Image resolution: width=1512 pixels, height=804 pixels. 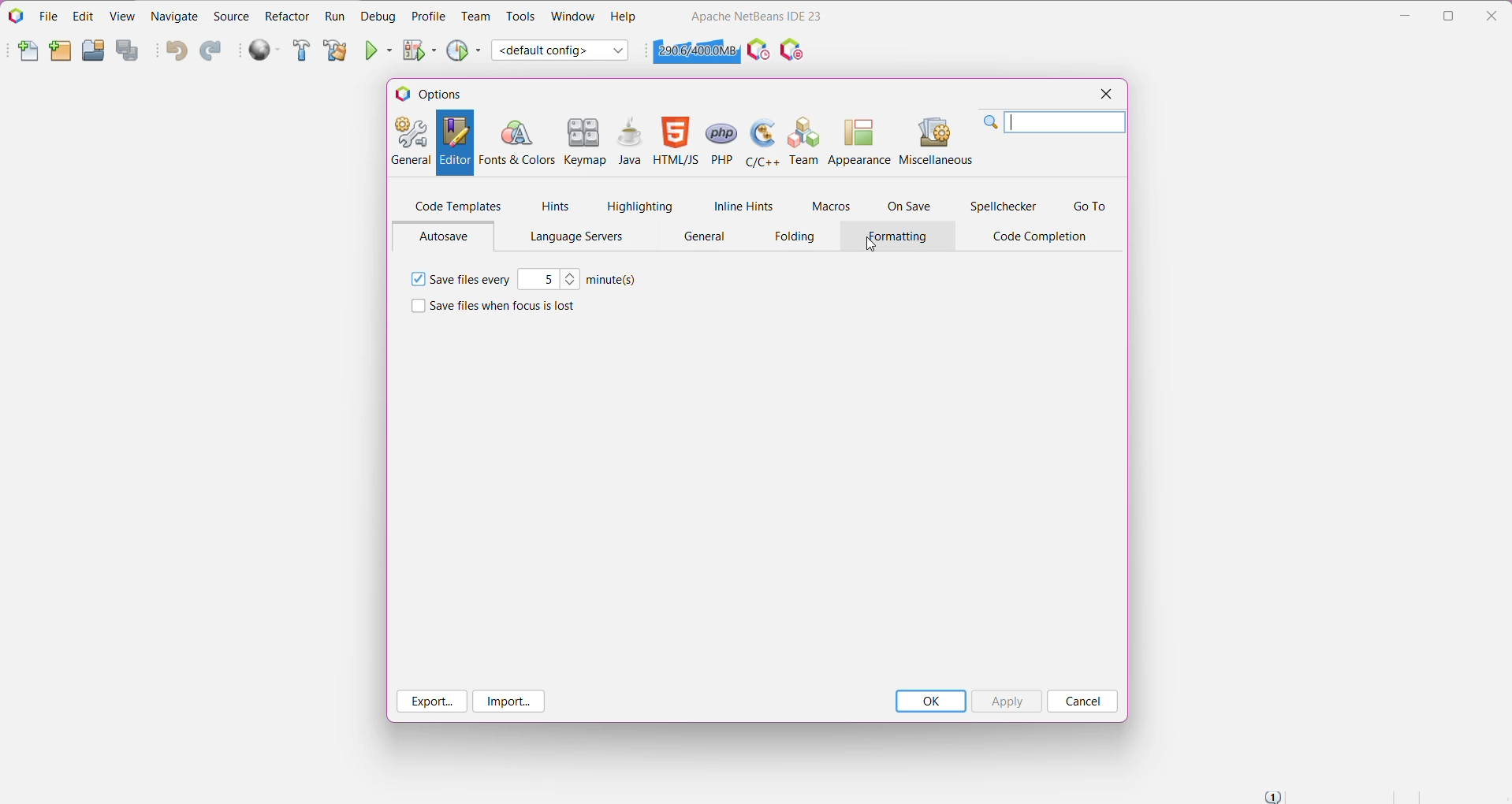 I want to click on File, so click(x=48, y=17).